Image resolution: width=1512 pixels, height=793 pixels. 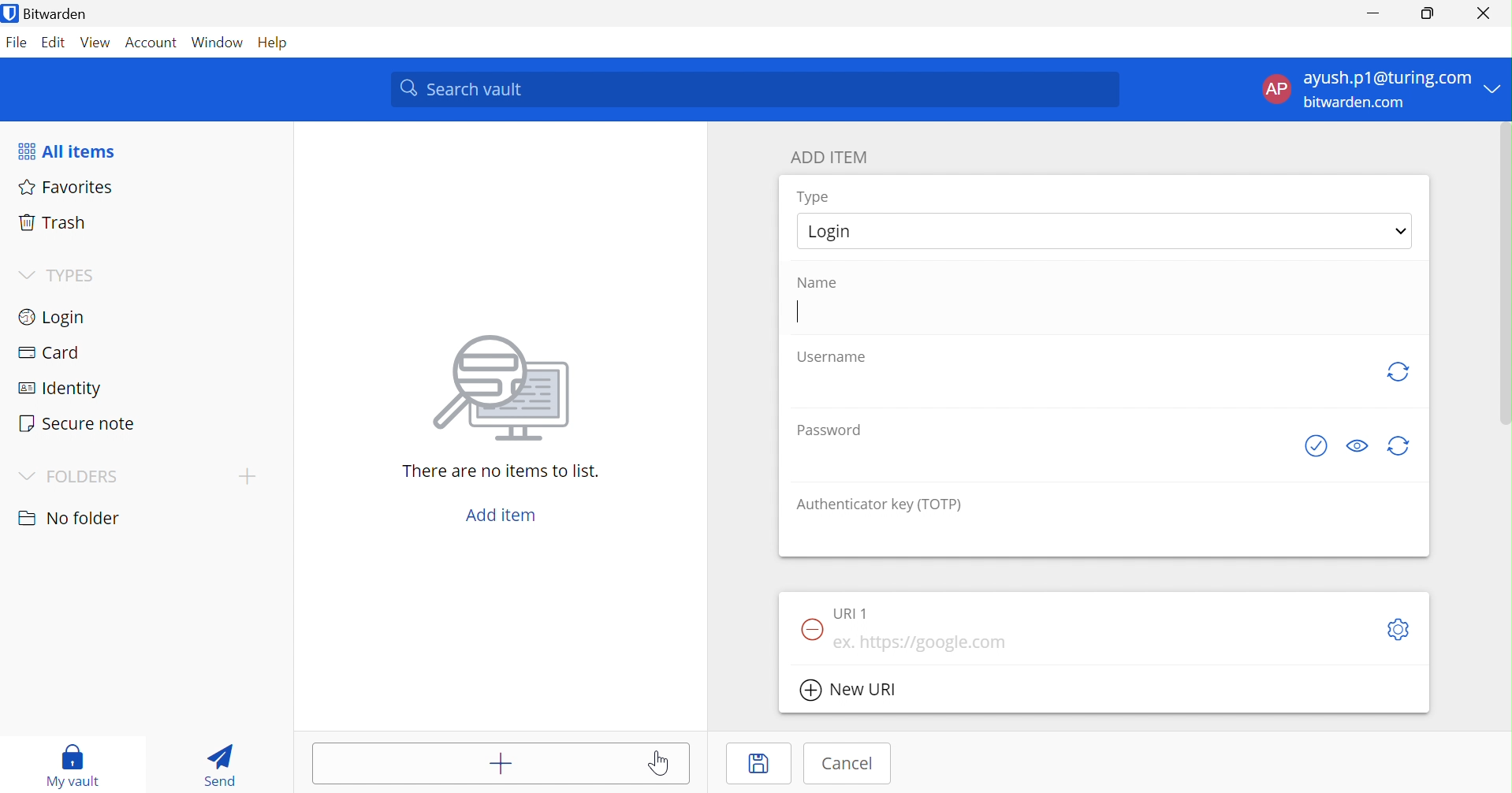 I want to click on Bitwarden, so click(x=48, y=13).